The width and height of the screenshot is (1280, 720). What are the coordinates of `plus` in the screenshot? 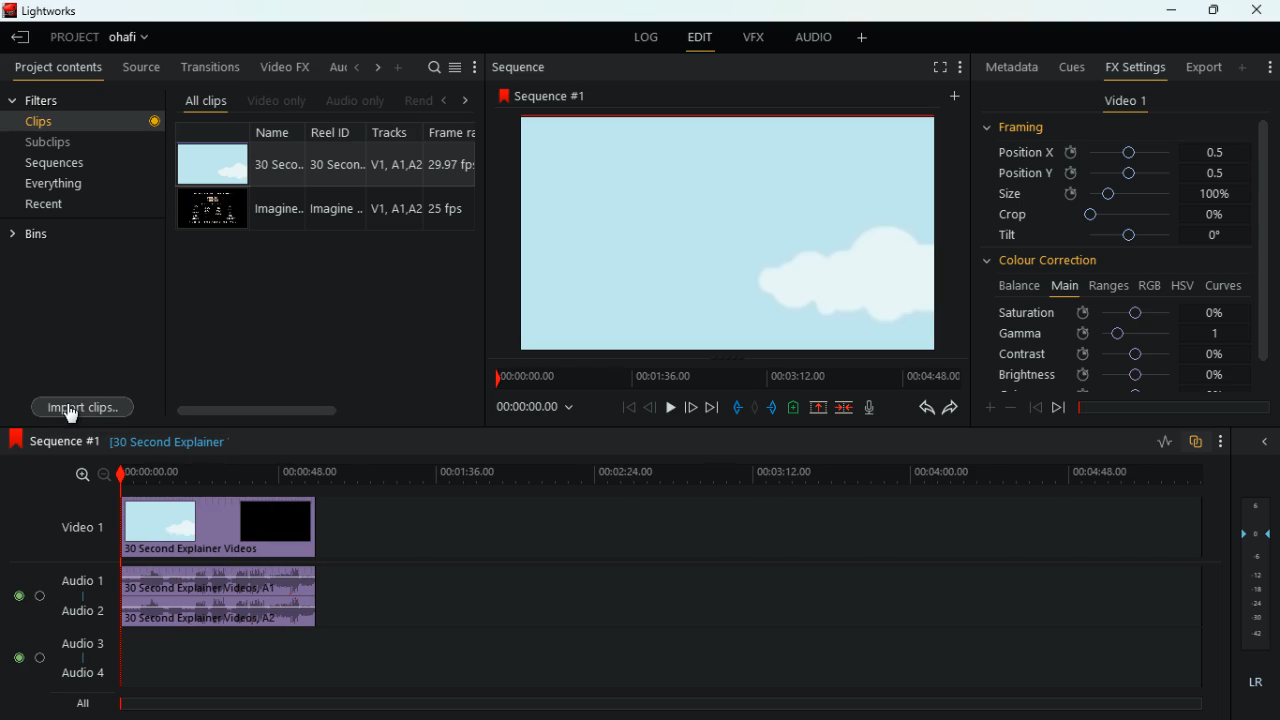 It's located at (985, 406).